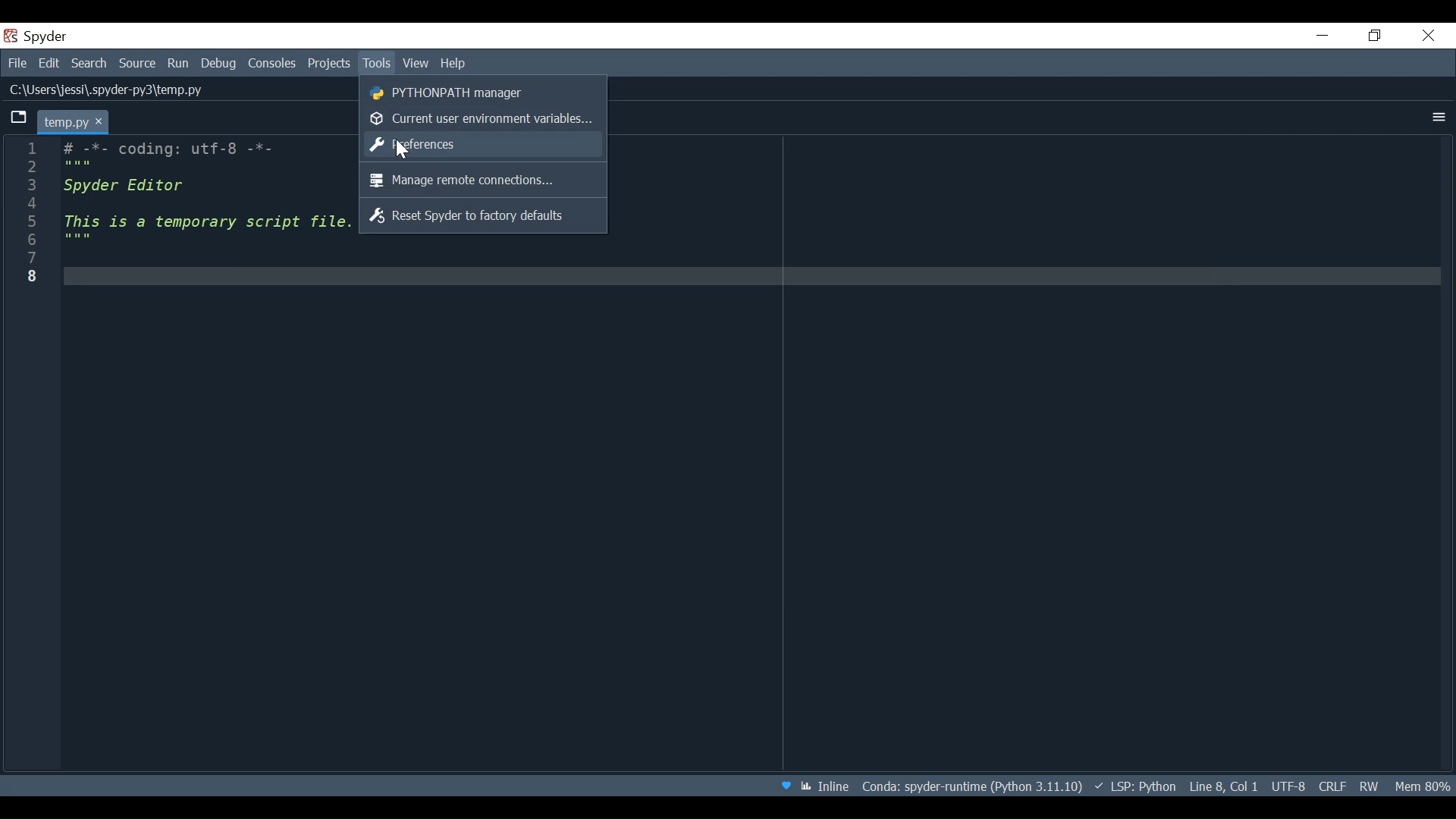 This screenshot has height=819, width=1456. What do you see at coordinates (51, 64) in the screenshot?
I see `Edit` at bounding box center [51, 64].